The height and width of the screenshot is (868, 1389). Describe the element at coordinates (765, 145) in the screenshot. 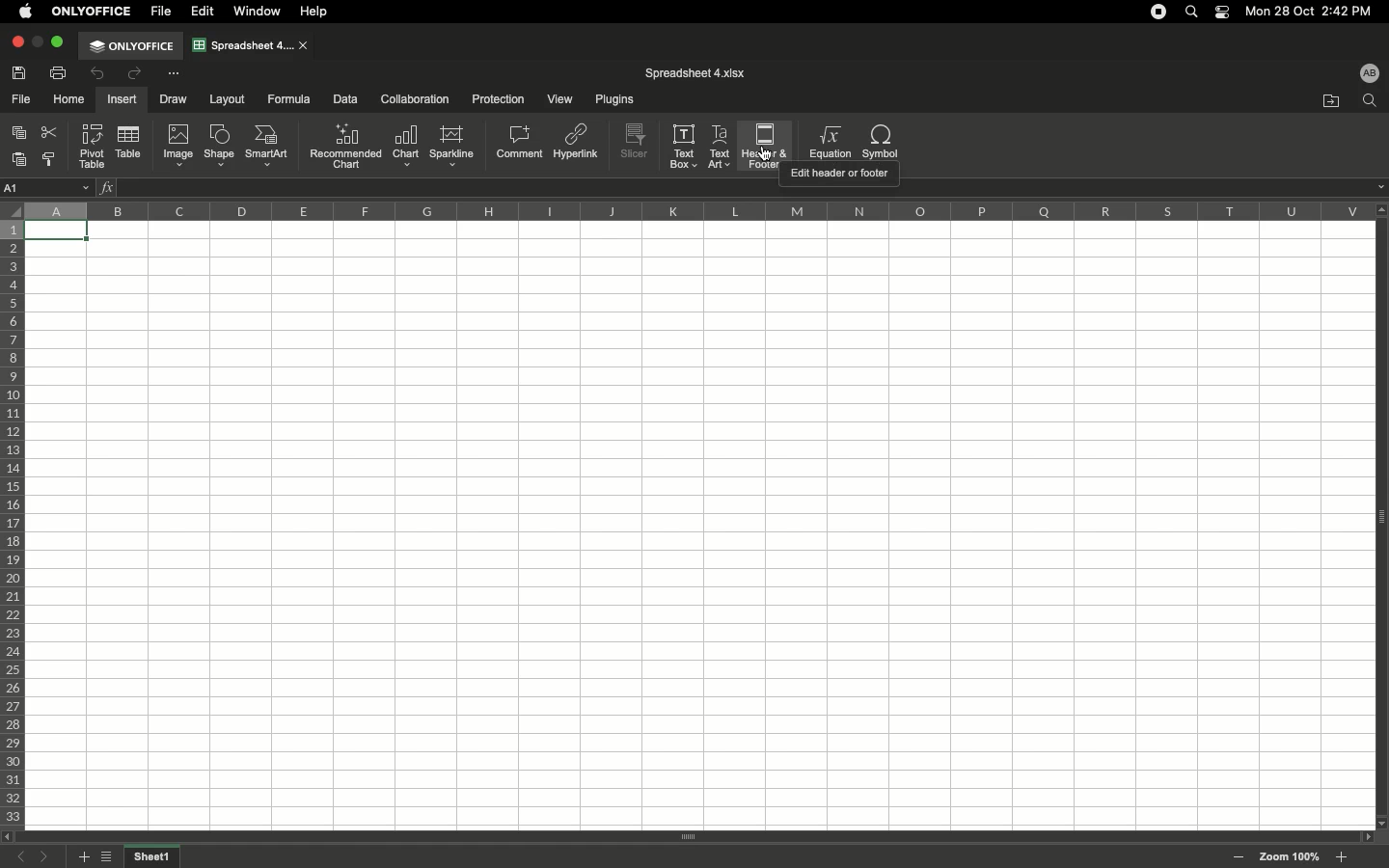

I see `Header&Footer` at that location.